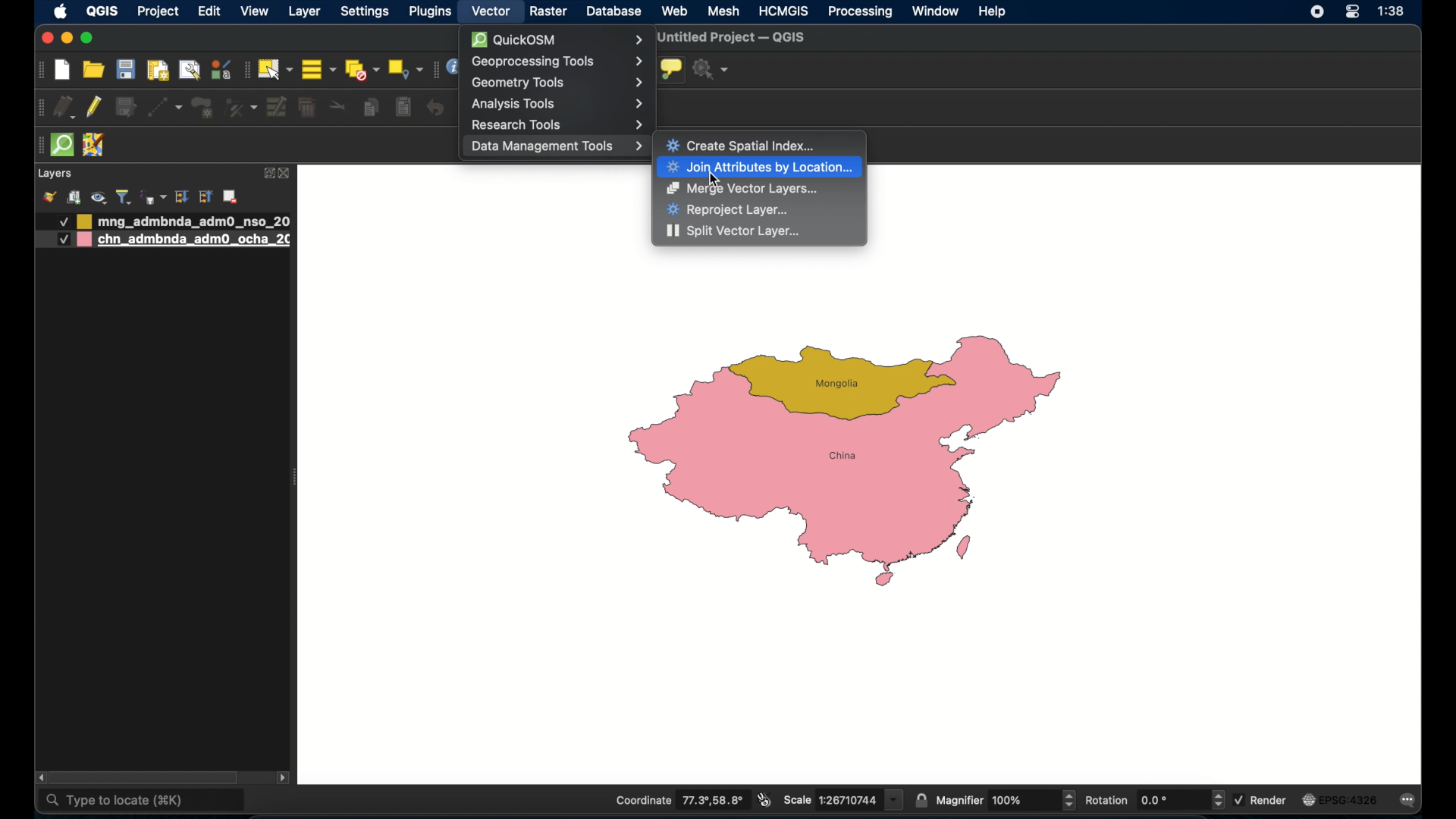 The image size is (1456, 819). Describe the element at coordinates (305, 12) in the screenshot. I see `layer` at that location.